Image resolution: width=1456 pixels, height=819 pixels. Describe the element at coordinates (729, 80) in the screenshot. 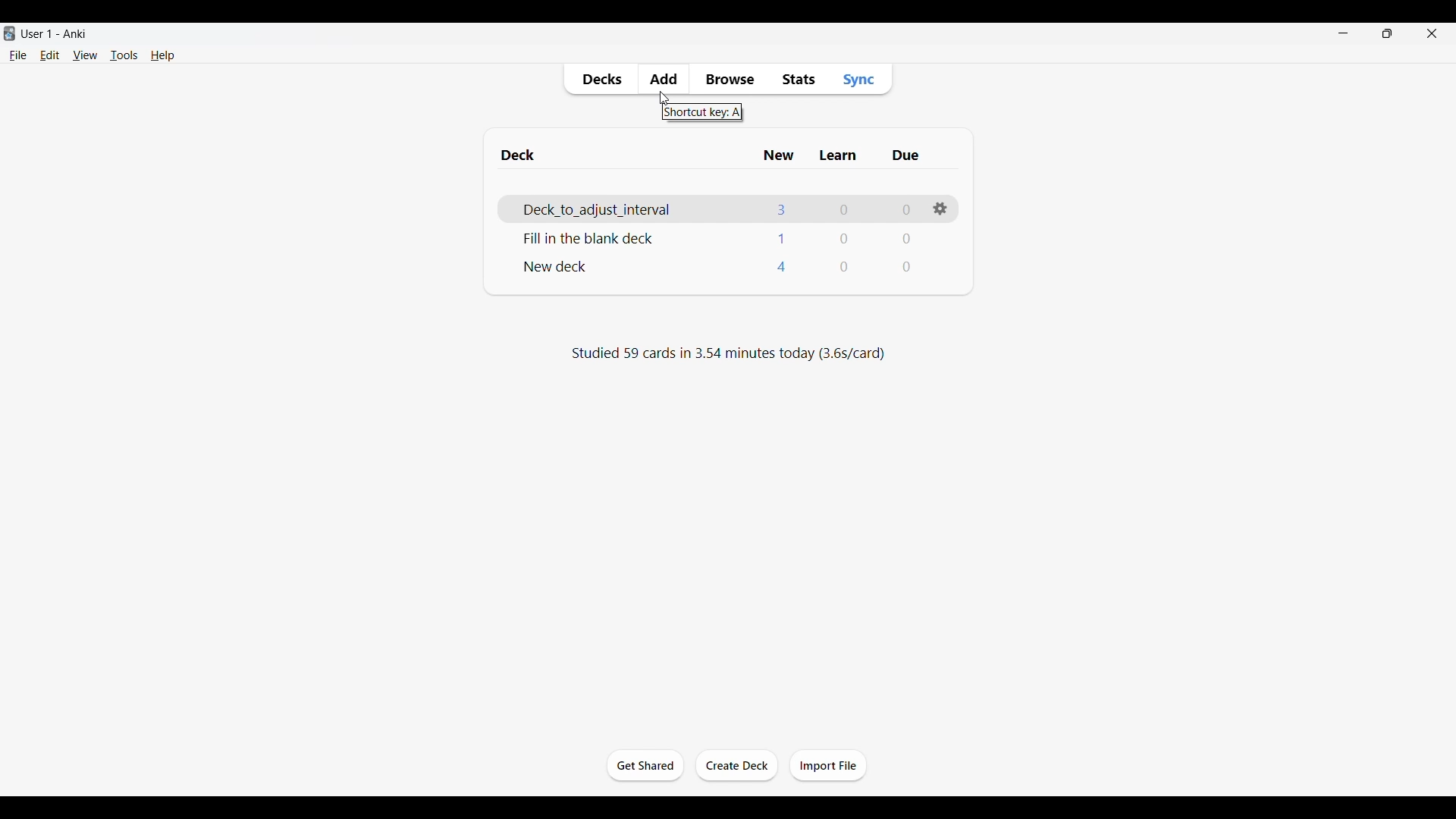

I see `Browse` at that location.